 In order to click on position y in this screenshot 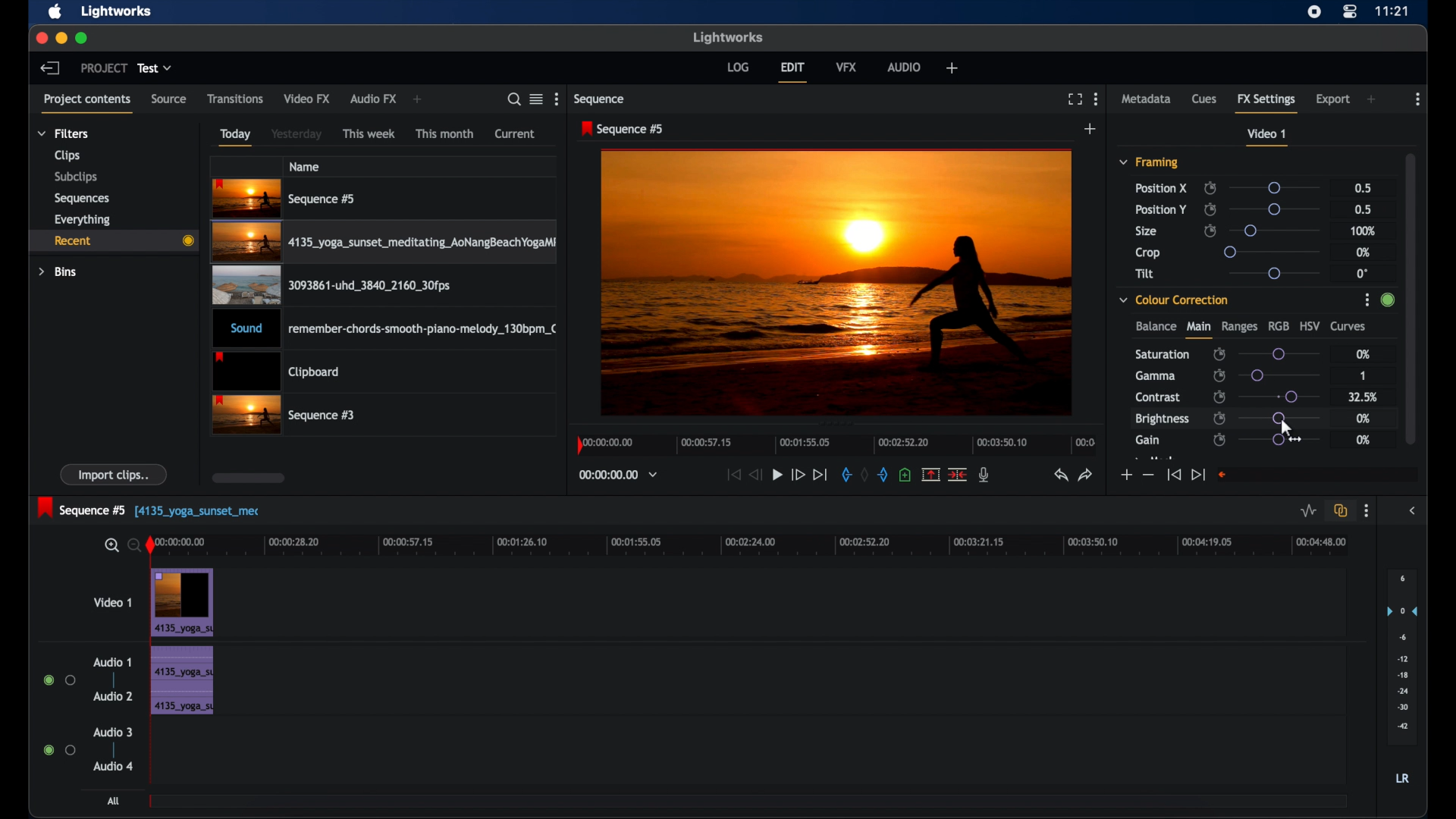, I will do `click(1160, 209)`.